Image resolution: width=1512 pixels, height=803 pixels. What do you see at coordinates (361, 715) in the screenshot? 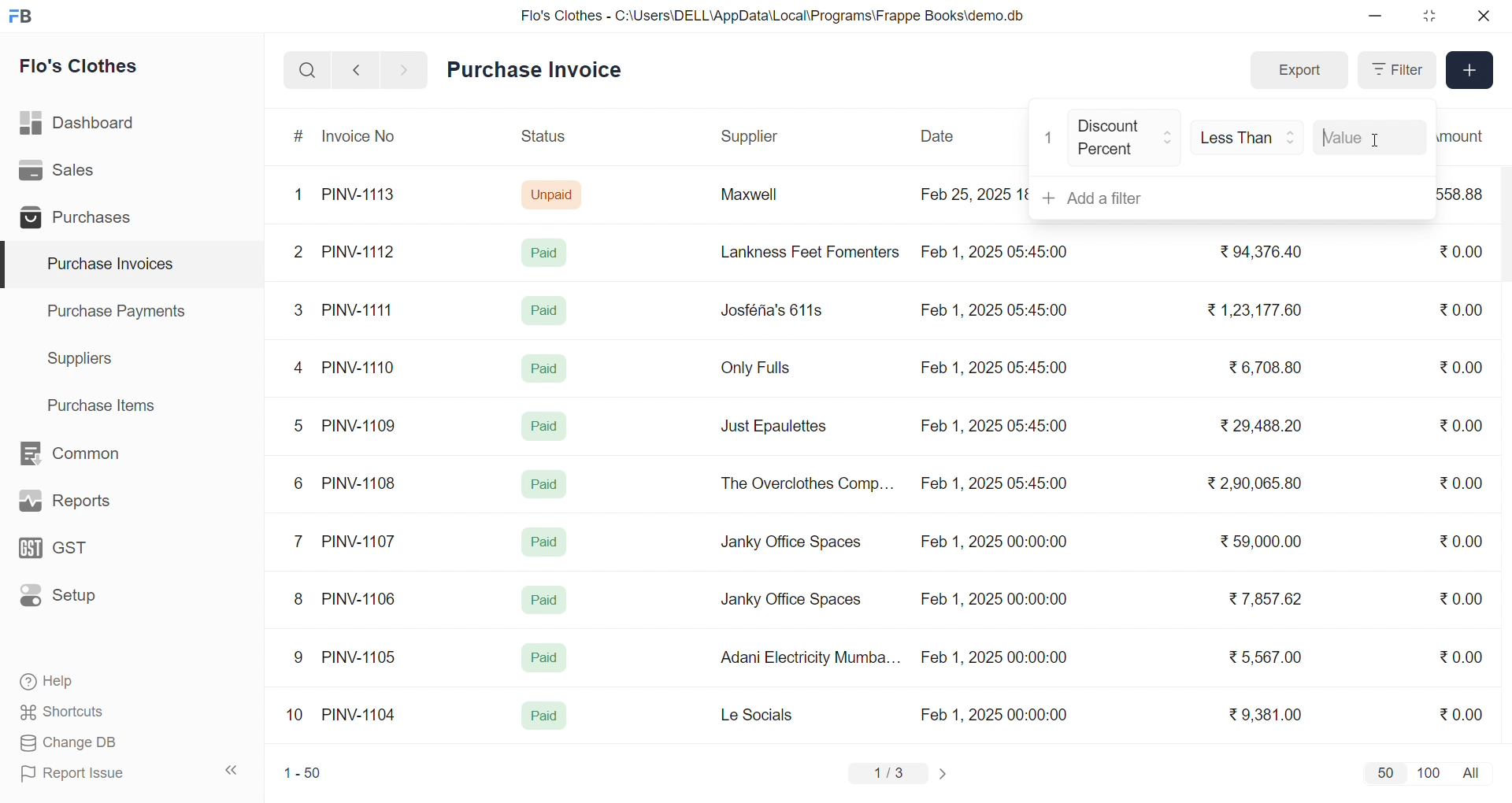
I see `PINV-1104` at bounding box center [361, 715].